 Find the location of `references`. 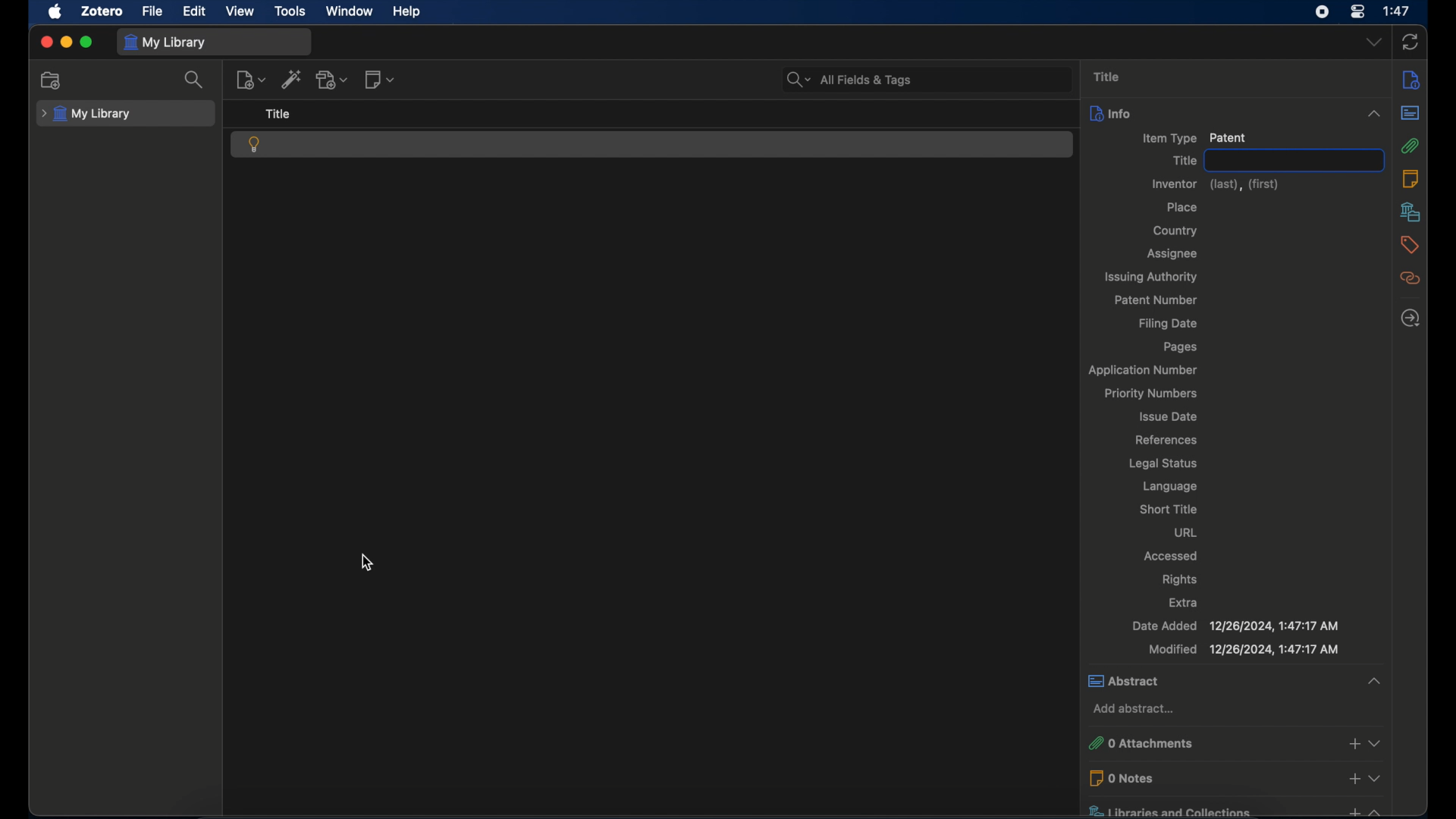

references is located at coordinates (1165, 441).